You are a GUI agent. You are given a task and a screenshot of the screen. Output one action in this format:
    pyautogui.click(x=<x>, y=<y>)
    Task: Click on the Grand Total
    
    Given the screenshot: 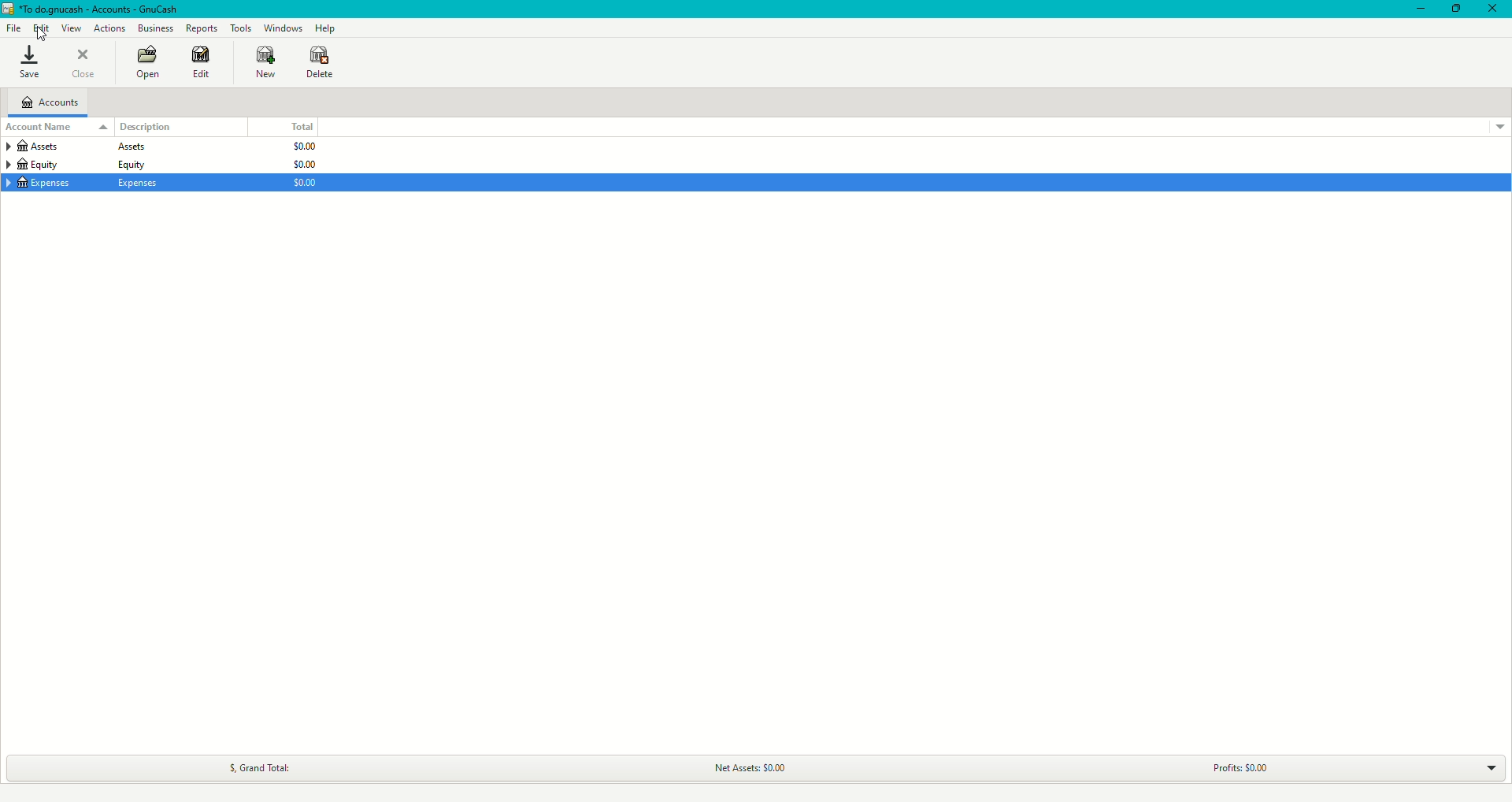 What is the action you would take?
    pyautogui.click(x=260, y=767)
    